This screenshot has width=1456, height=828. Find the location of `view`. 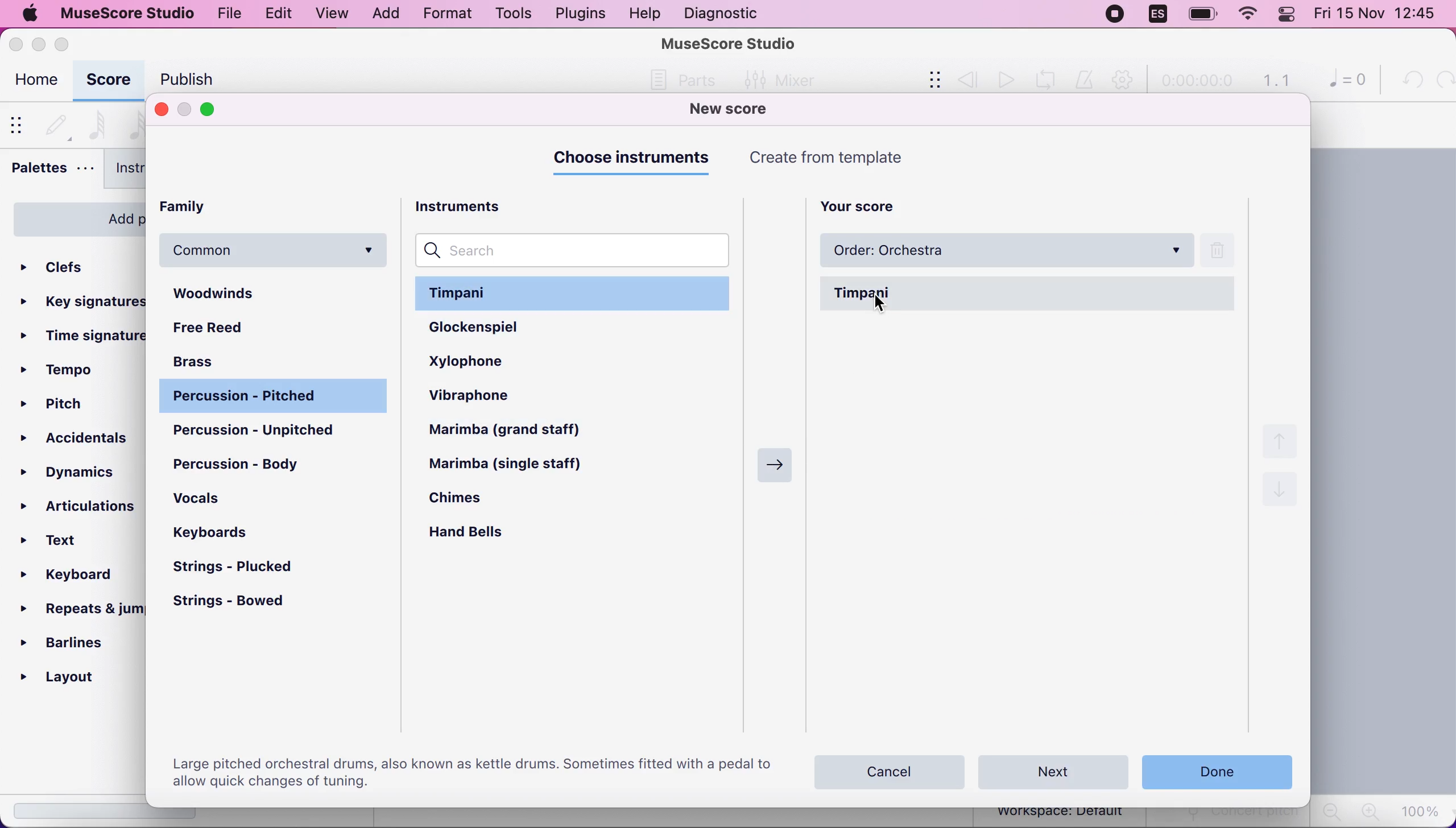

view is located at coordinates (331, 14).